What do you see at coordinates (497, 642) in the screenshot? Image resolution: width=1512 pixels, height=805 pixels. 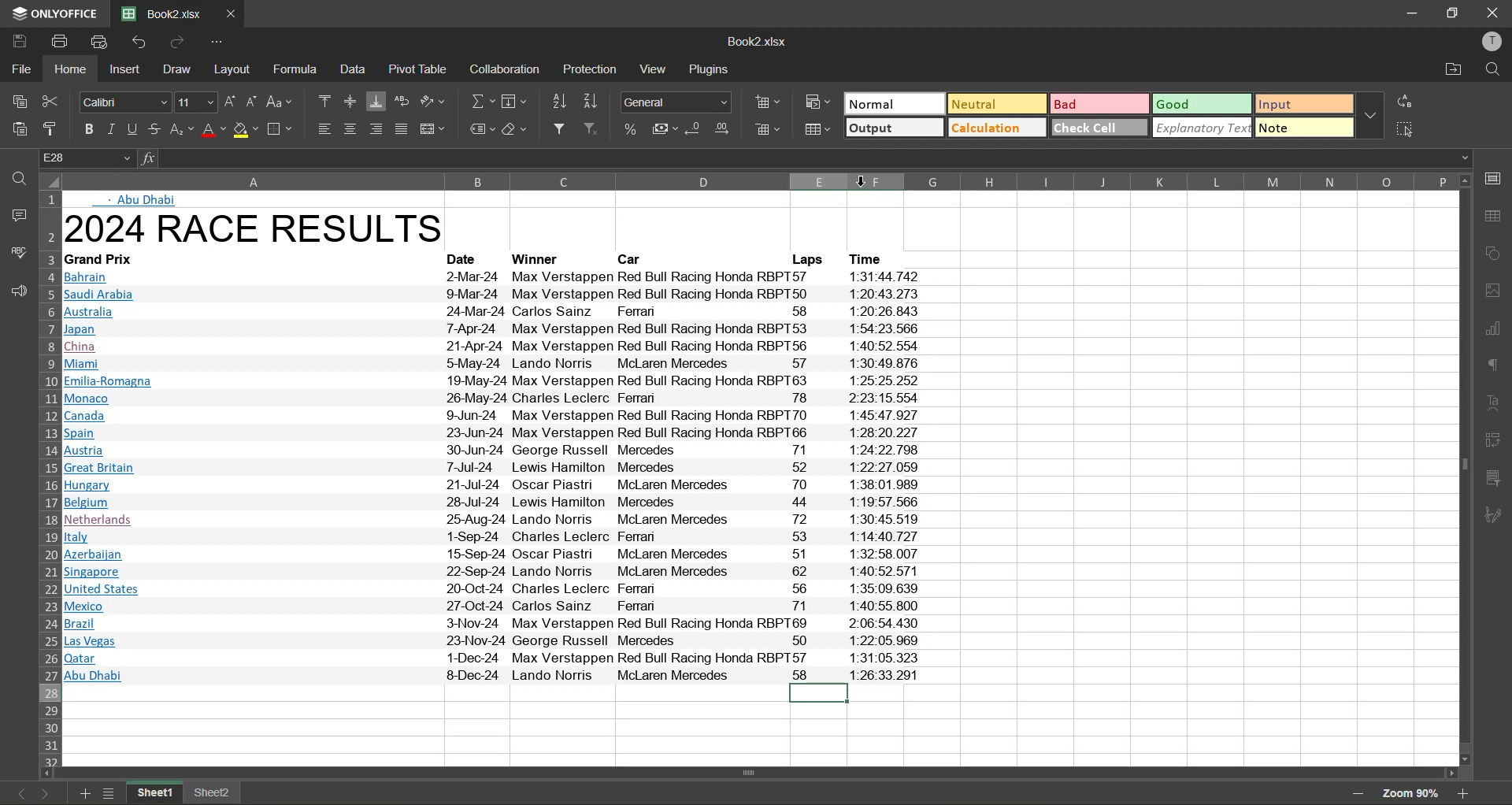 I see `Las Vegas 23-Nov-24 George Russell Mercedes S50 1:22:05.969` at bounding box center [497, 642].